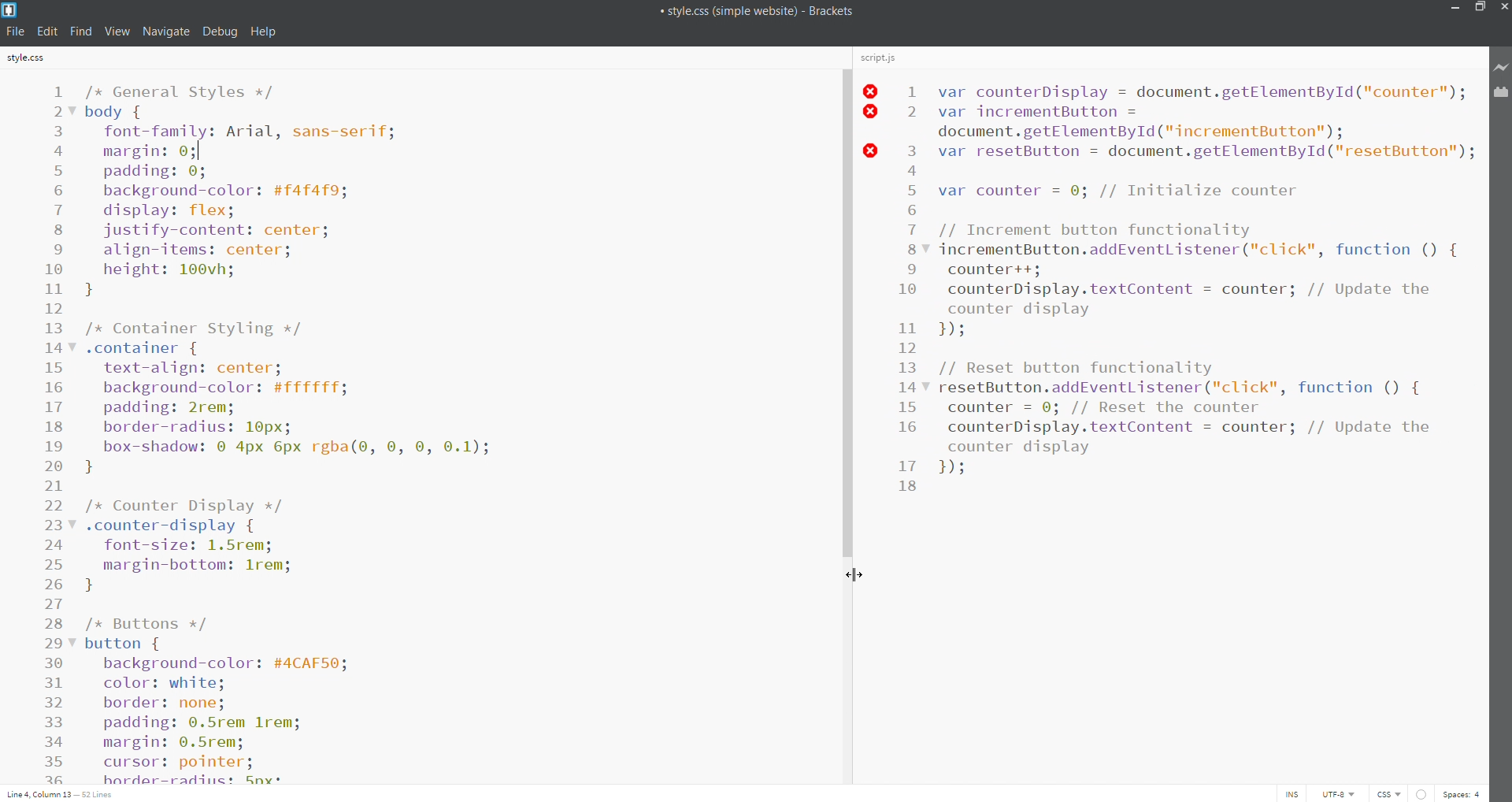 Image resolution: width=1512 pixels, height=802 pixels. I want to click on maximize/restore, so click(1479, 9).